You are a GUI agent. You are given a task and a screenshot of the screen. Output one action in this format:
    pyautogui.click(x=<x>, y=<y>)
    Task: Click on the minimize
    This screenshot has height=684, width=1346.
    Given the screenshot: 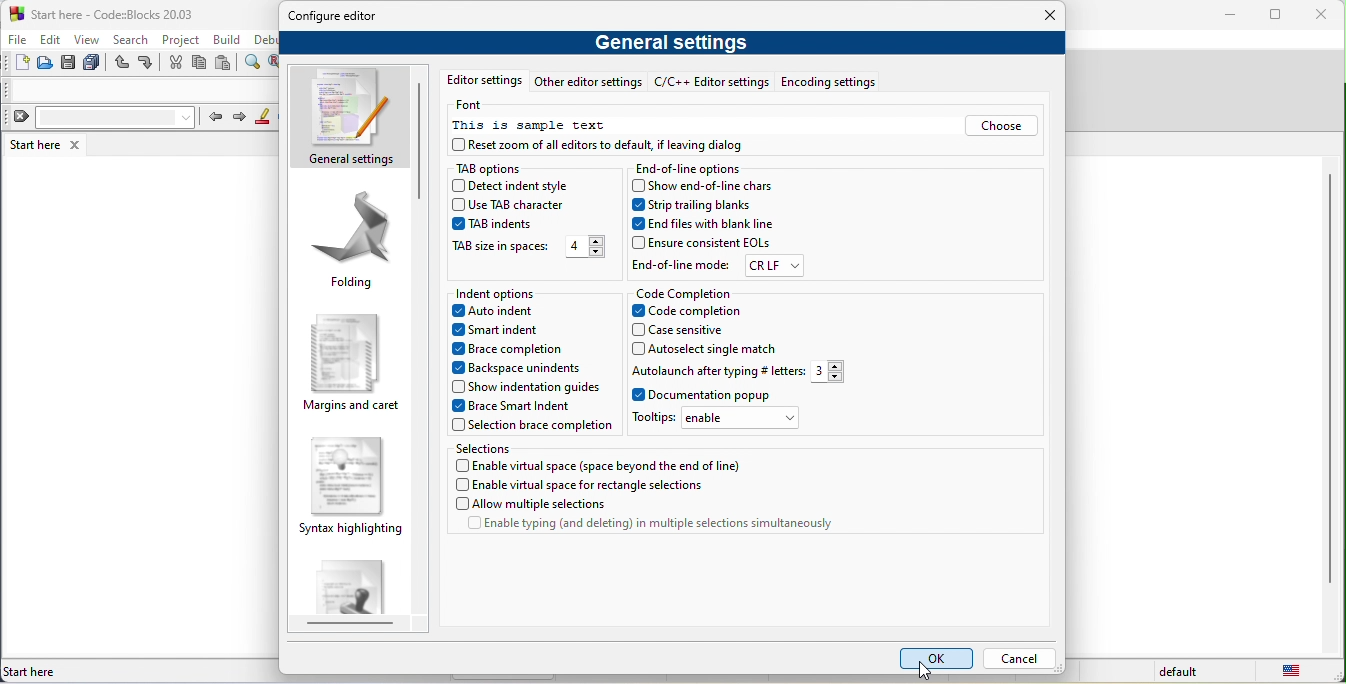 What is the action you would take?
    pyautogui.click(x=1233, y=16)
    